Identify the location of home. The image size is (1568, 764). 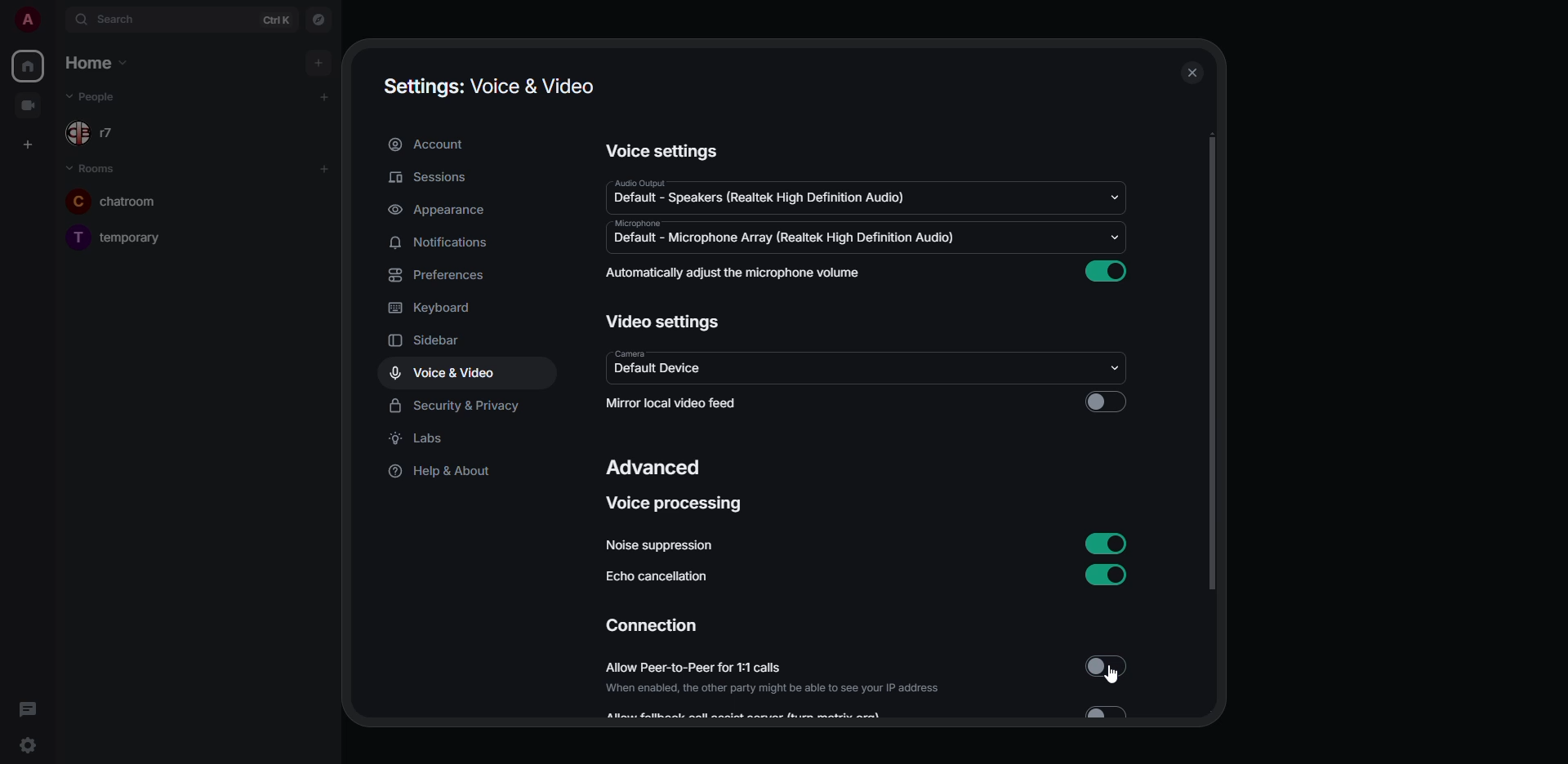
(30, 67).